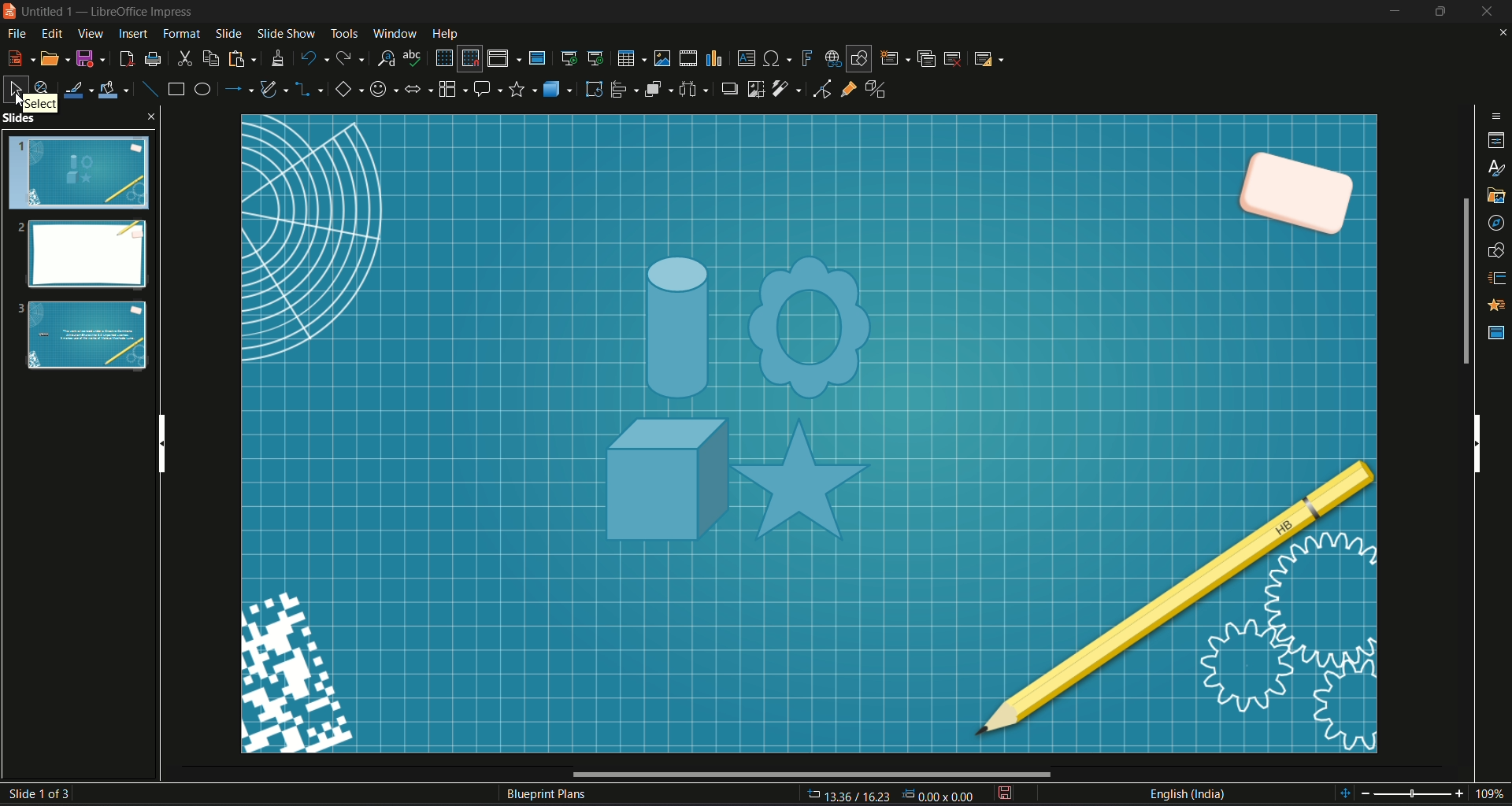 This screenshot has height=806, width=1512. Describe the element at coordinates (559, 88) in the screenshot. I see `3D objects` at that location.